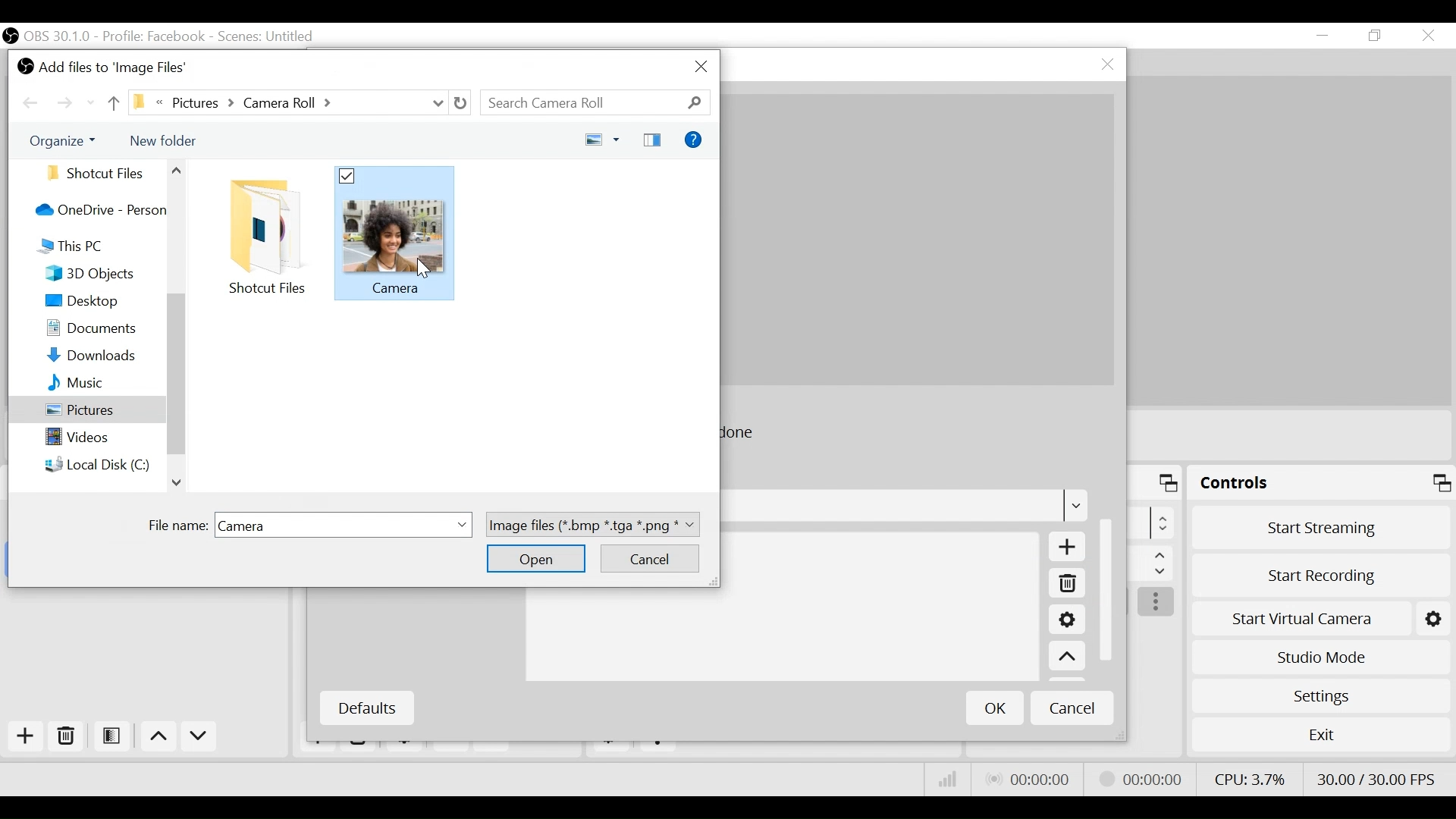 The image size is (1456, 819). Describe the element at coordinates (24, 736) in the screenshot. I see `Add` at that location.